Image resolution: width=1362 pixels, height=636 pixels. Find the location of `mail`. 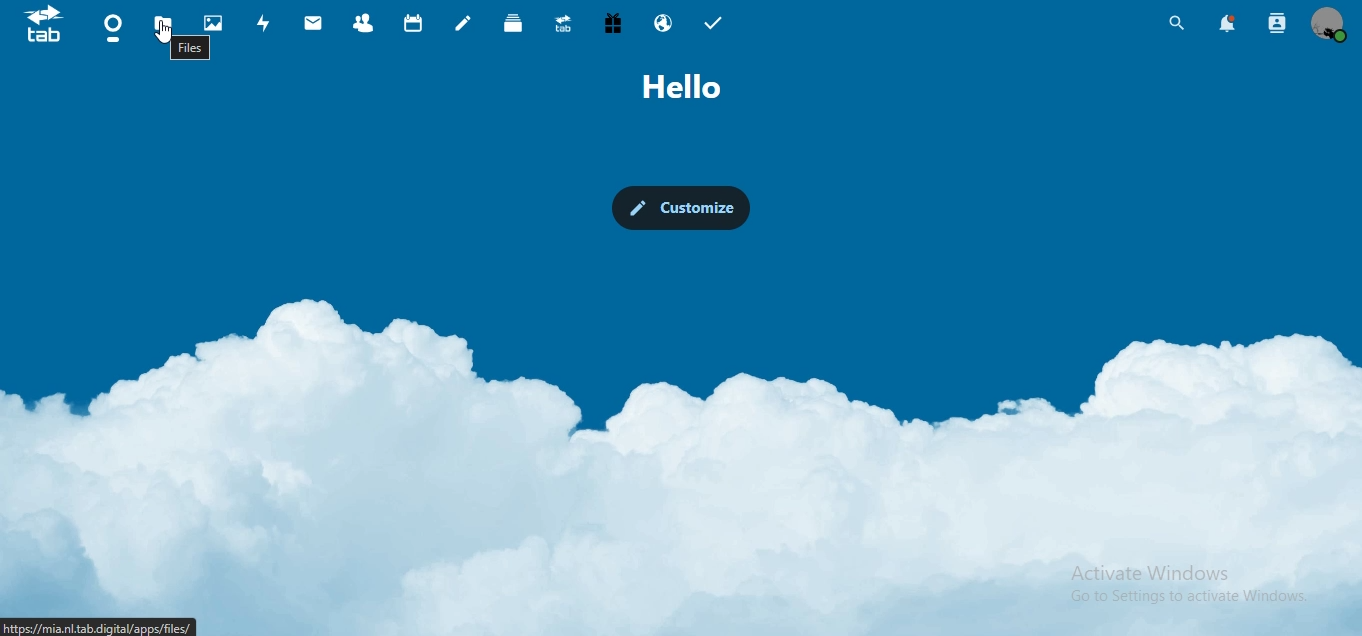

mail is located at coordinates (316, 25).